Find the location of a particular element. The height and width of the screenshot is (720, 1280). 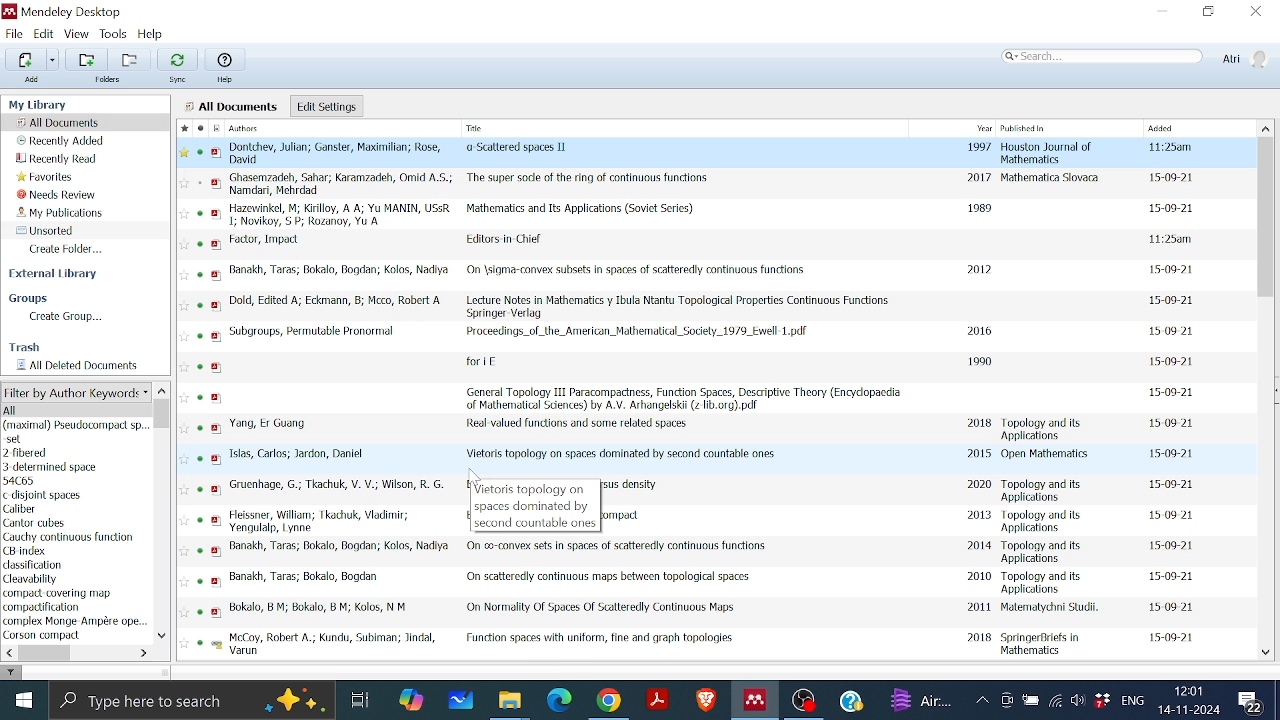

Favorites is located at coordinates (63, 178).